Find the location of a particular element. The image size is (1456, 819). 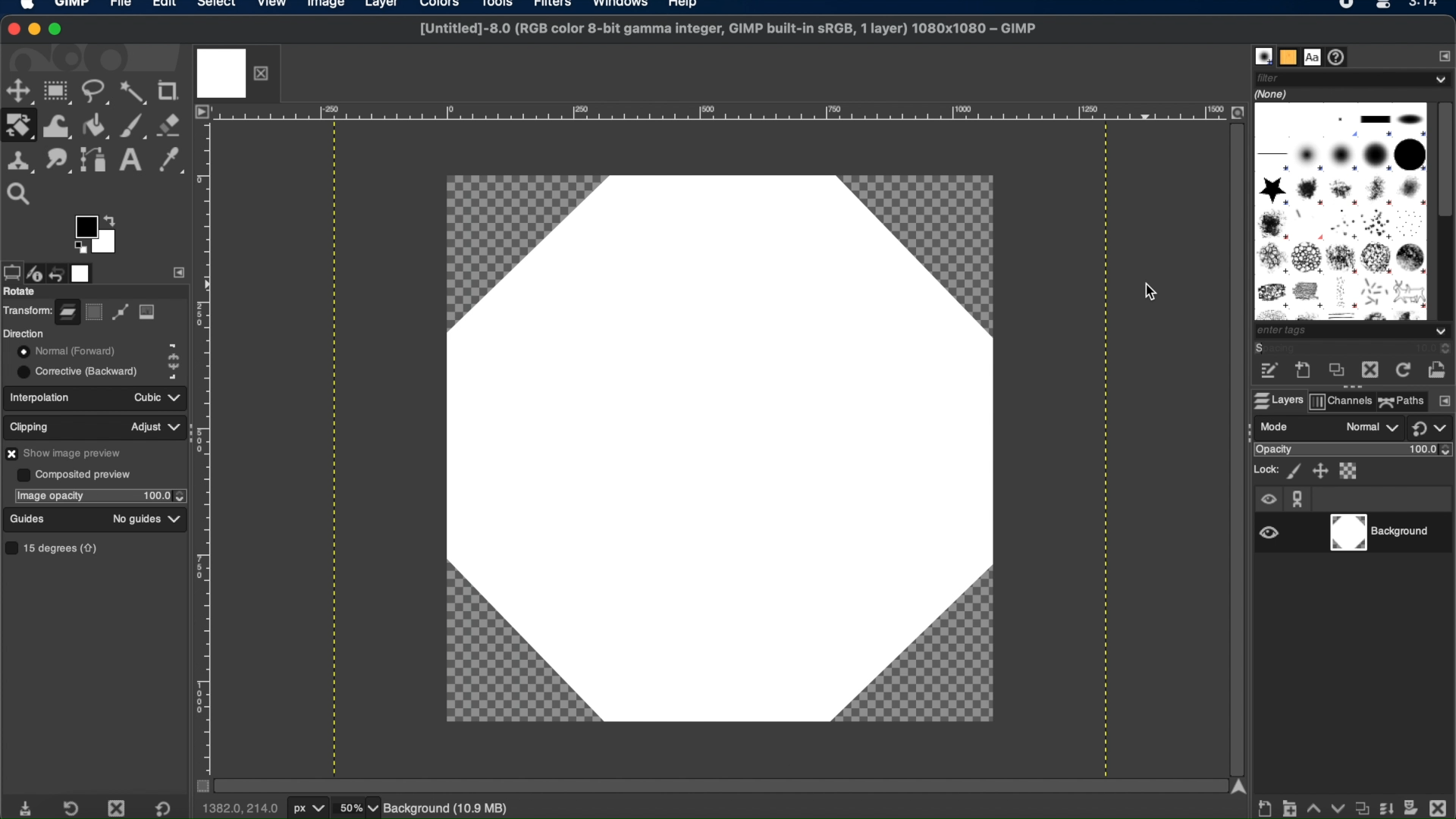

visibility toggle is located at coordinates (1270, 532).